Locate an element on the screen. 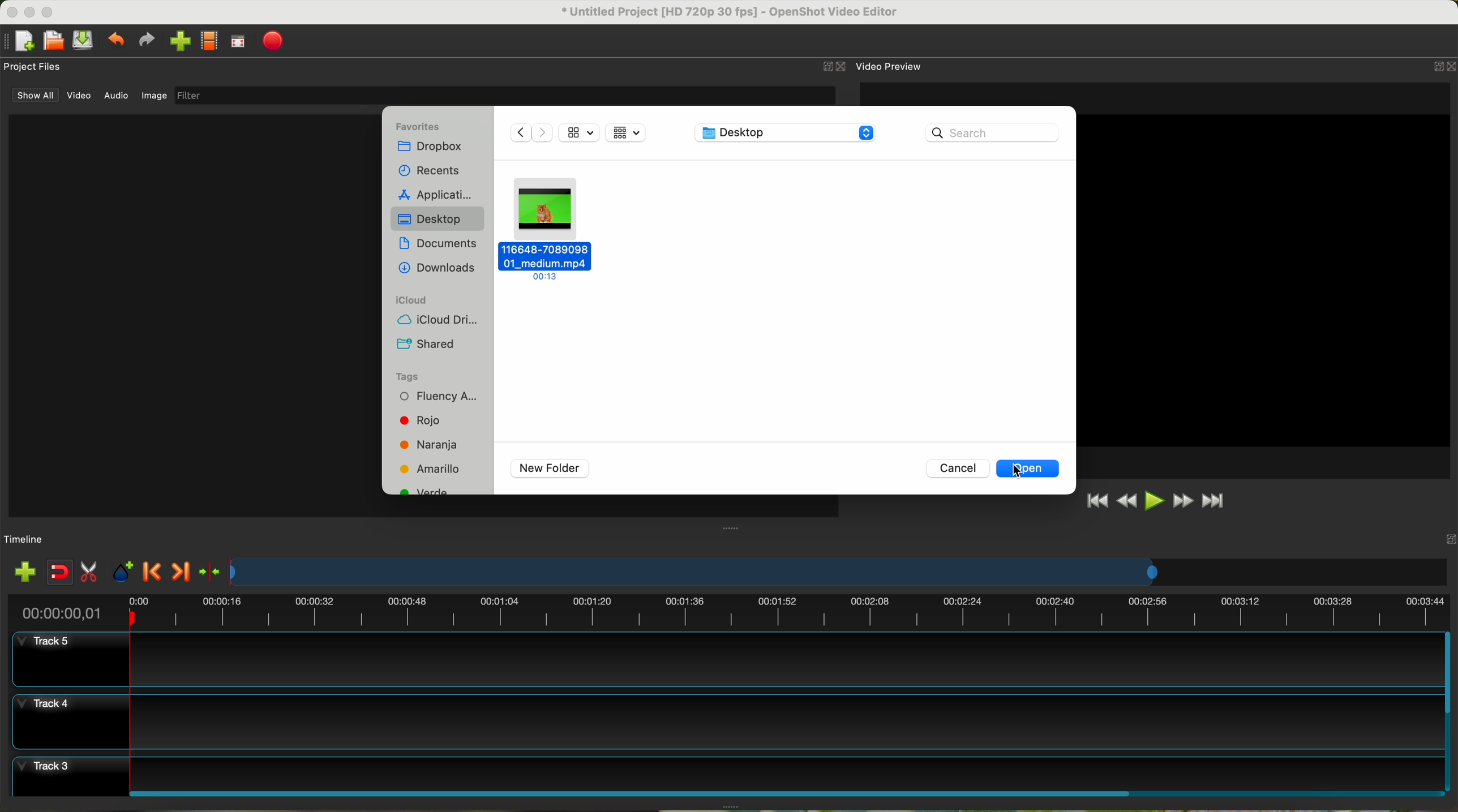  track 3 is located at coordinates (726, 771).